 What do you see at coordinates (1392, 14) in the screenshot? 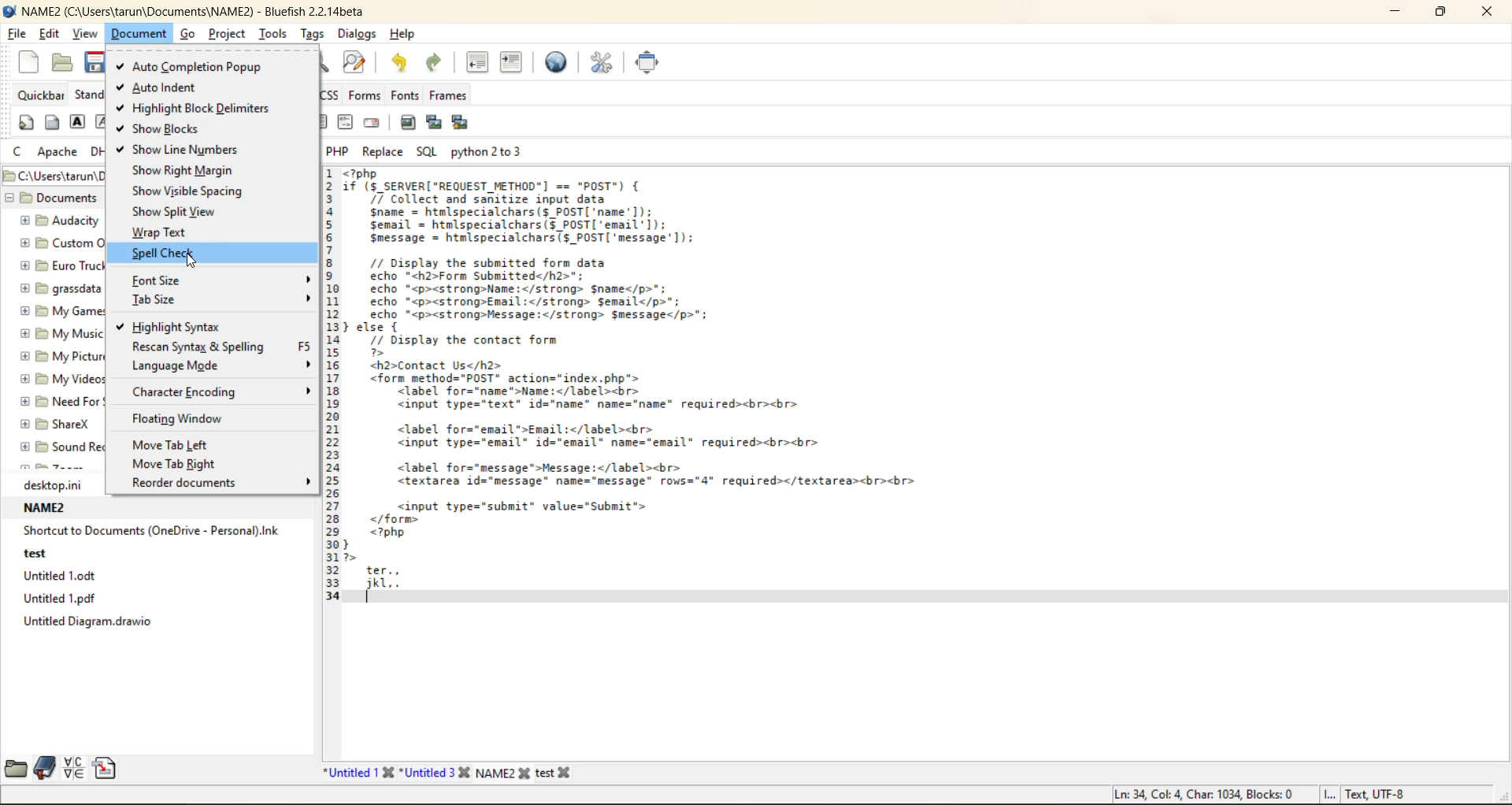
I see `minimize` at bounding box center [1392, 14].